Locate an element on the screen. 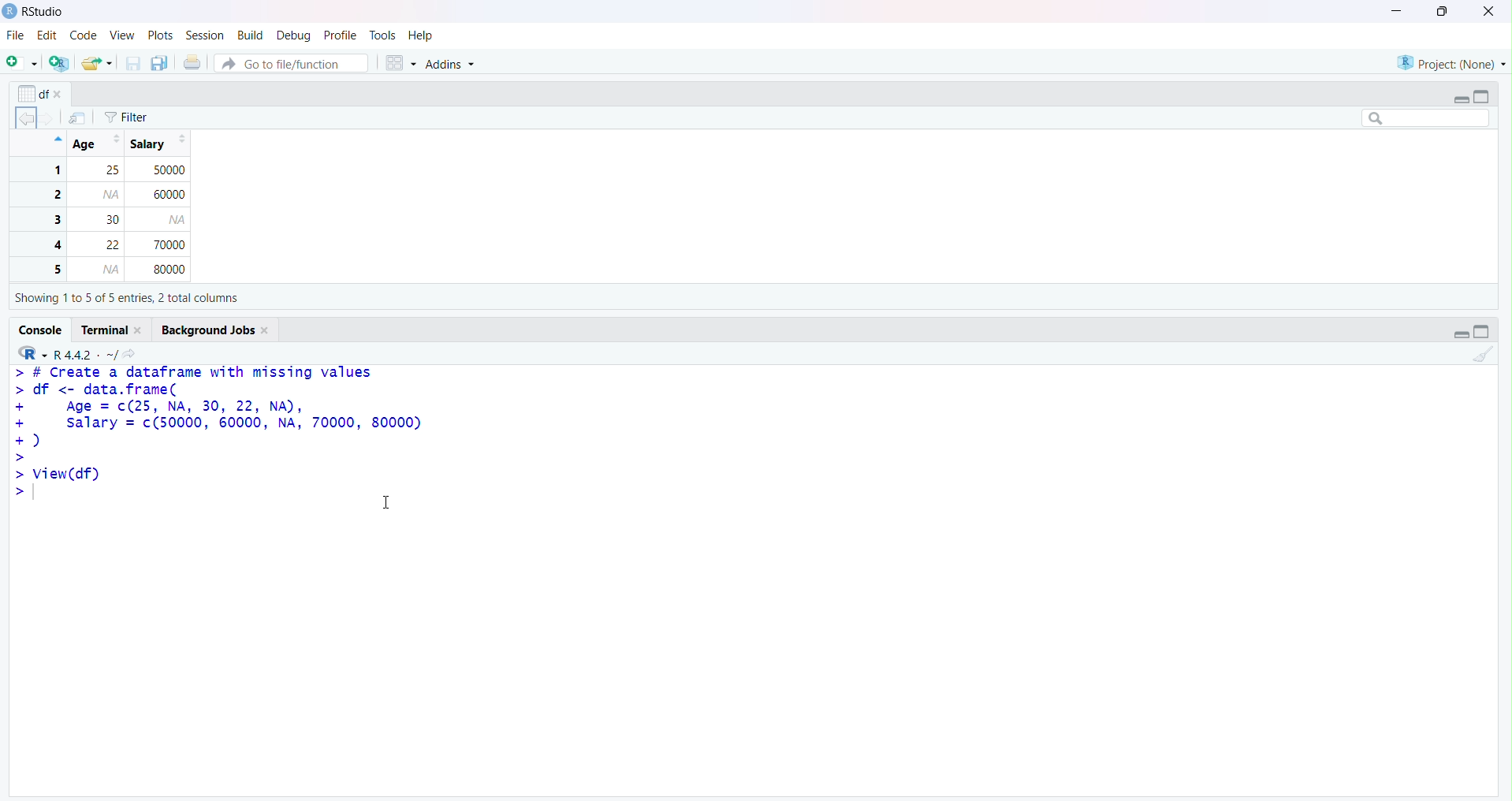 This screenshot has width=1512, height=801. Filter is located at coordinates (128, 115).